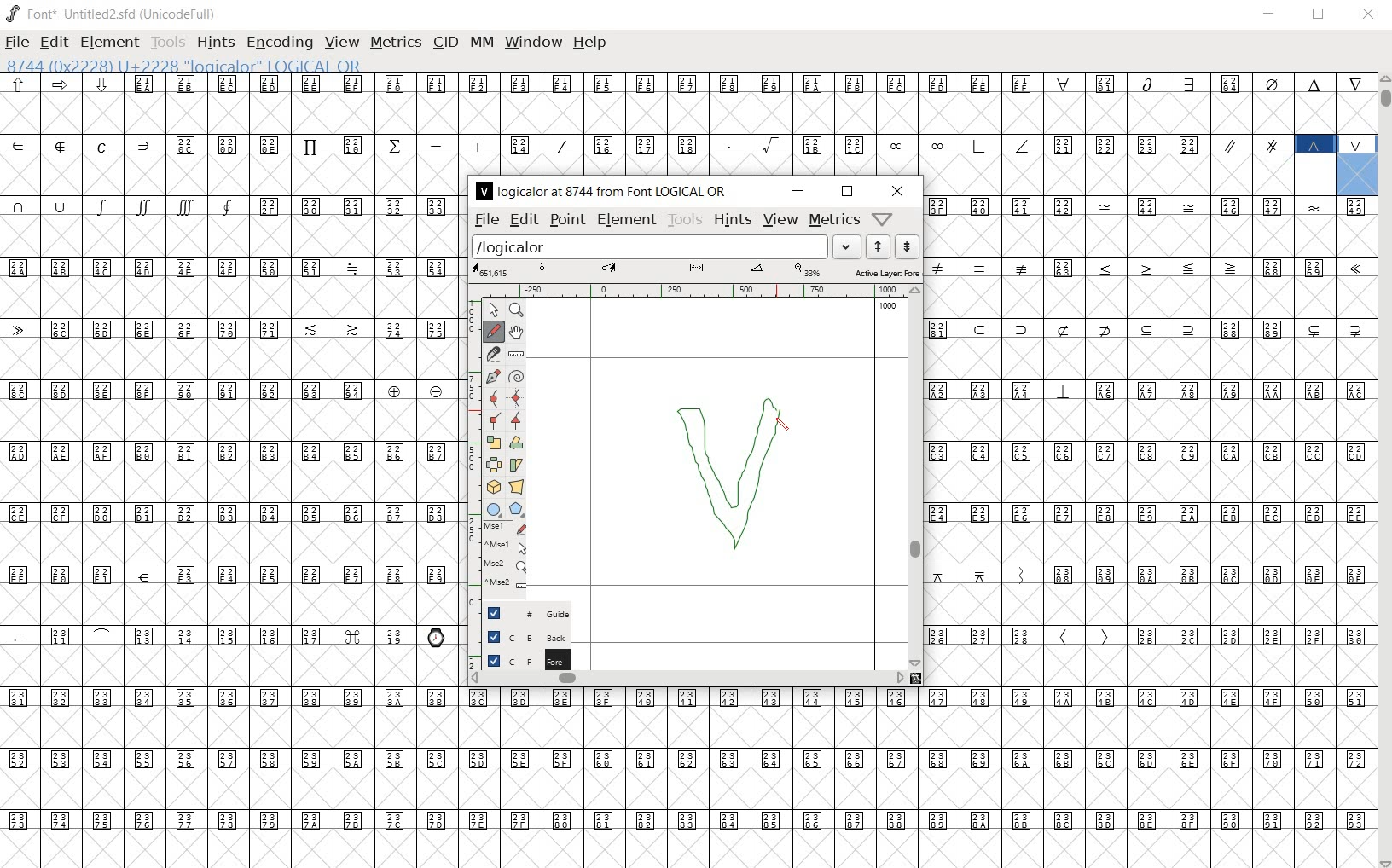 The width and height of the screenshot is (1392, 868). I want to click on glyph characters, so click(919, 807).